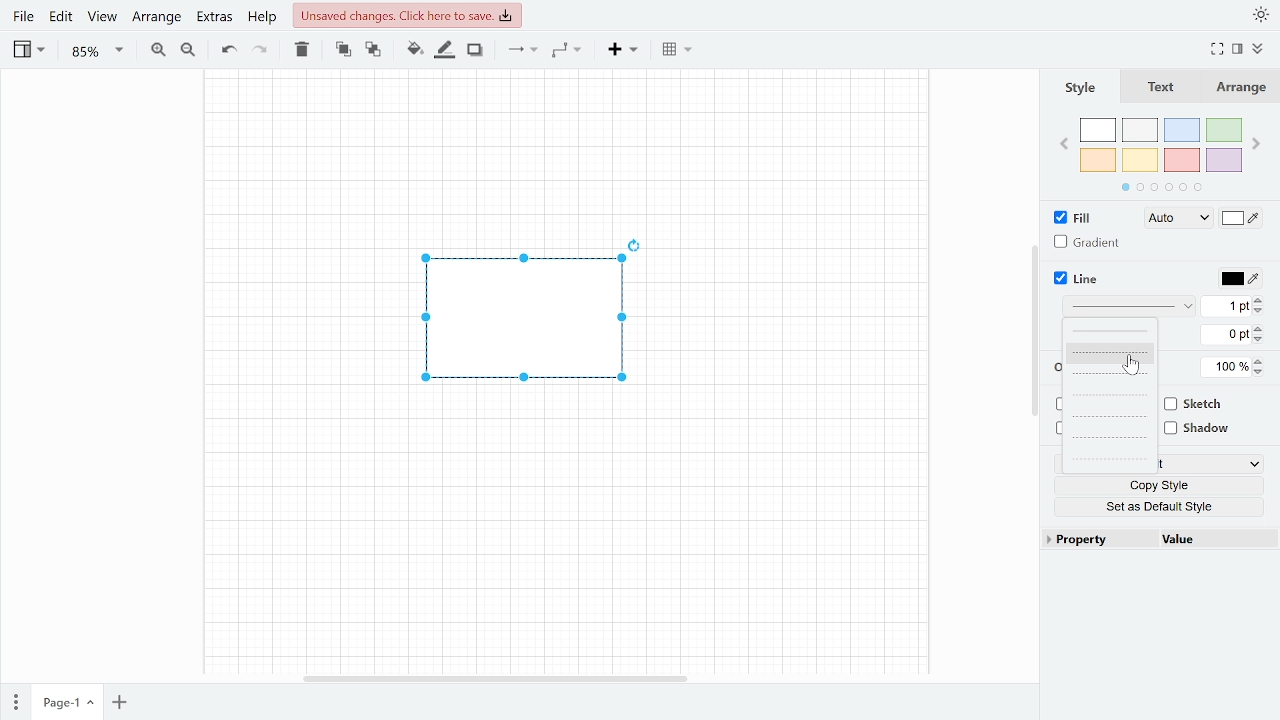  Describe the element at coordinates (1260, 299) in the screenshot. I see `Increase linewidth` at that location.